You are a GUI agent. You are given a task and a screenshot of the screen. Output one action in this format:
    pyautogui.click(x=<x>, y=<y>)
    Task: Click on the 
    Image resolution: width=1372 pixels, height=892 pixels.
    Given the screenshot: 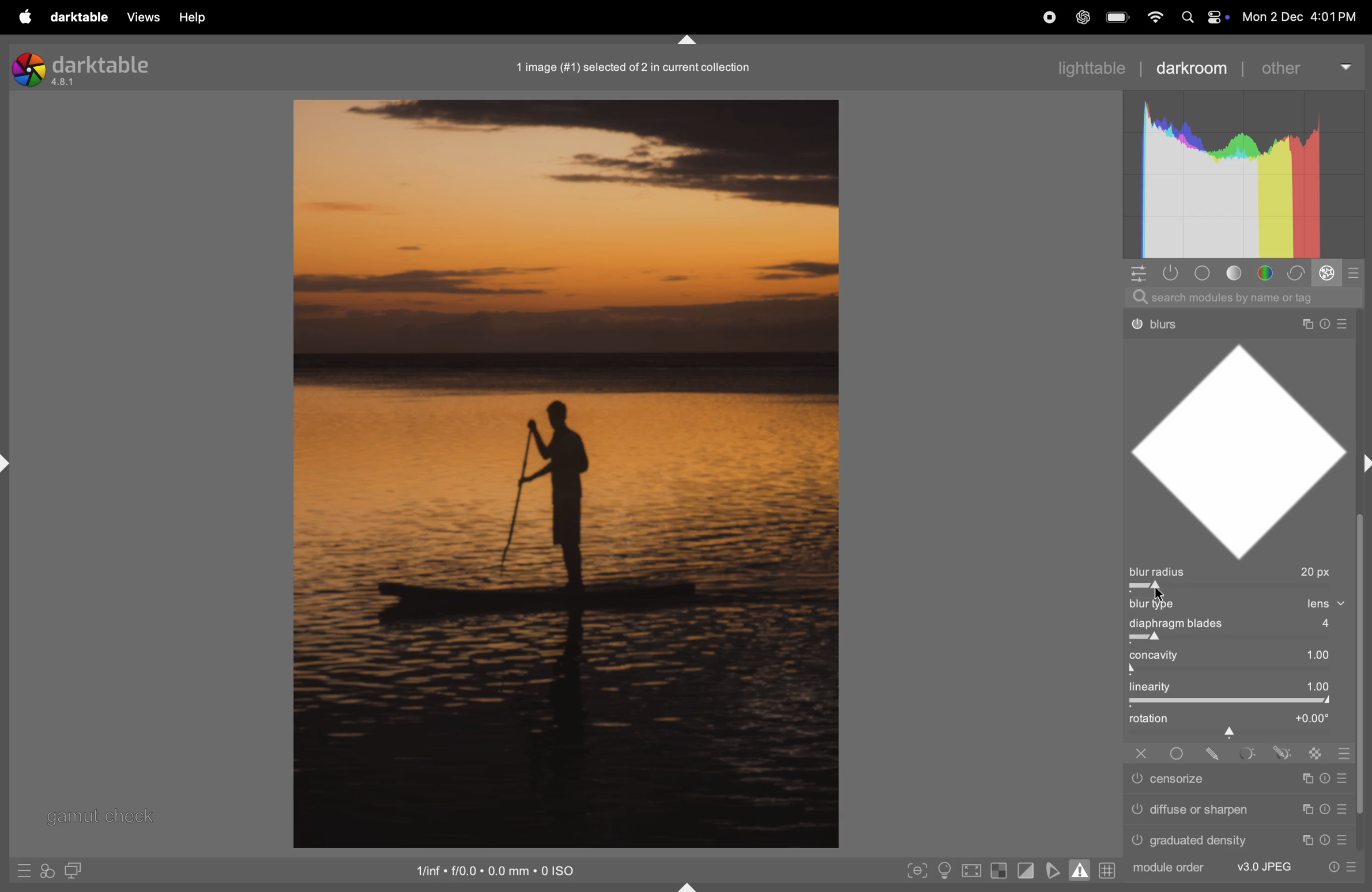 What is the action you would take?
    pyautogui.click(x=1348, y=754)
    